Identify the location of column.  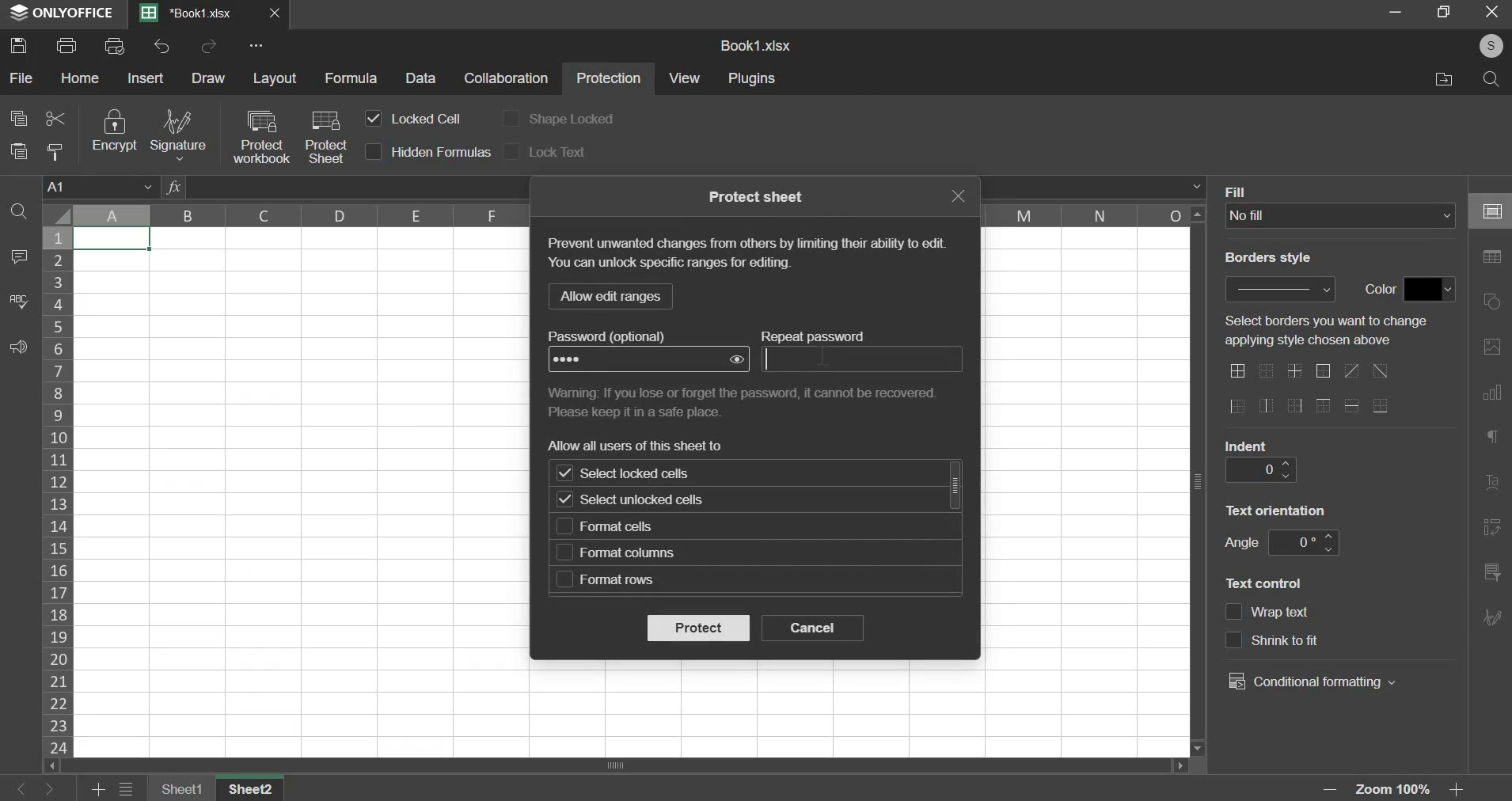
(295, 214).